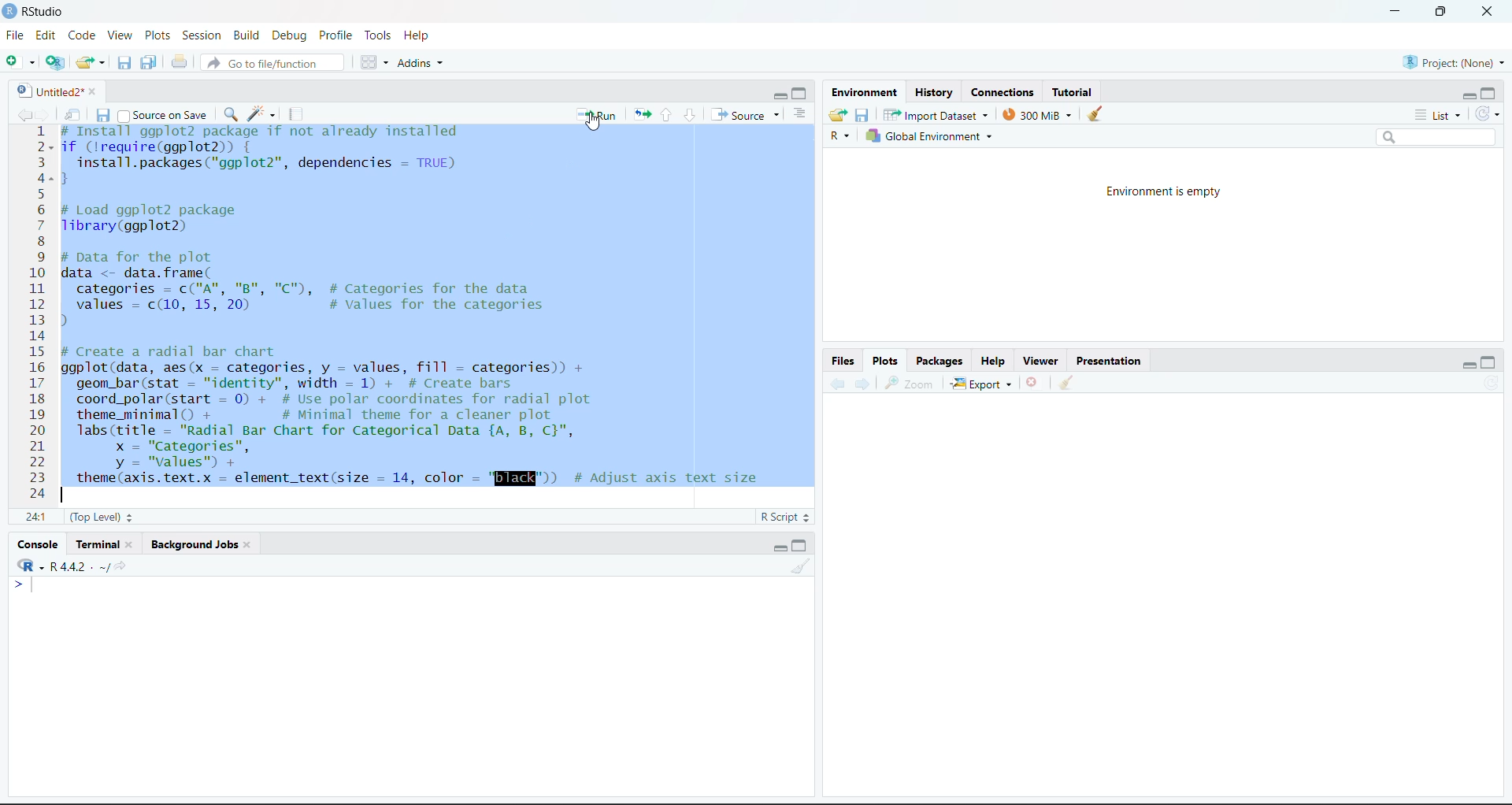 This screenshot has width=1512, height=805. What do you see at coordinates (1077, 91) in the screenshot?
I see `Tutorial` at bounding box center [1077, 91].